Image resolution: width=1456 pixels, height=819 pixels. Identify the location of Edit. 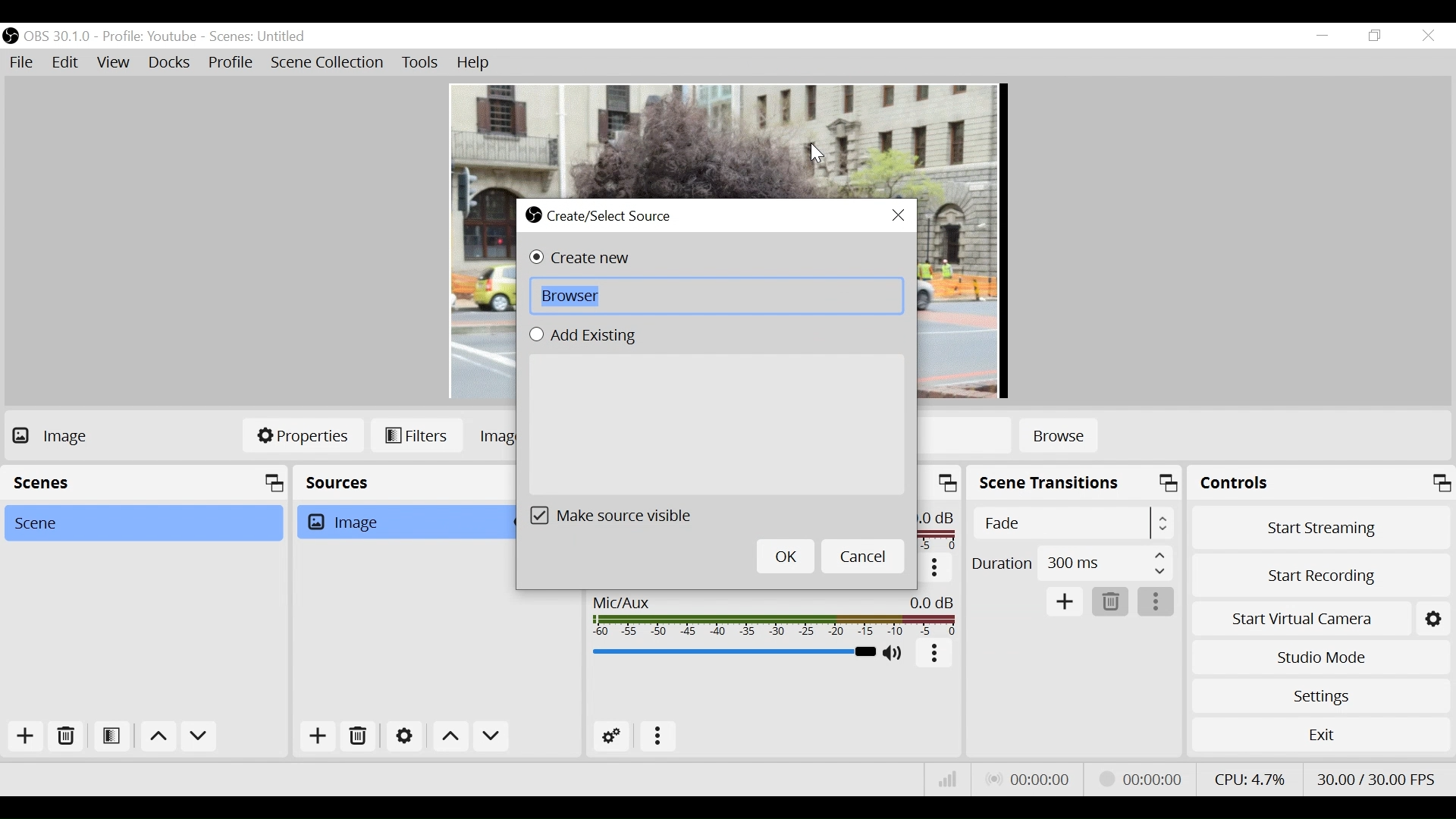
(66, 64).